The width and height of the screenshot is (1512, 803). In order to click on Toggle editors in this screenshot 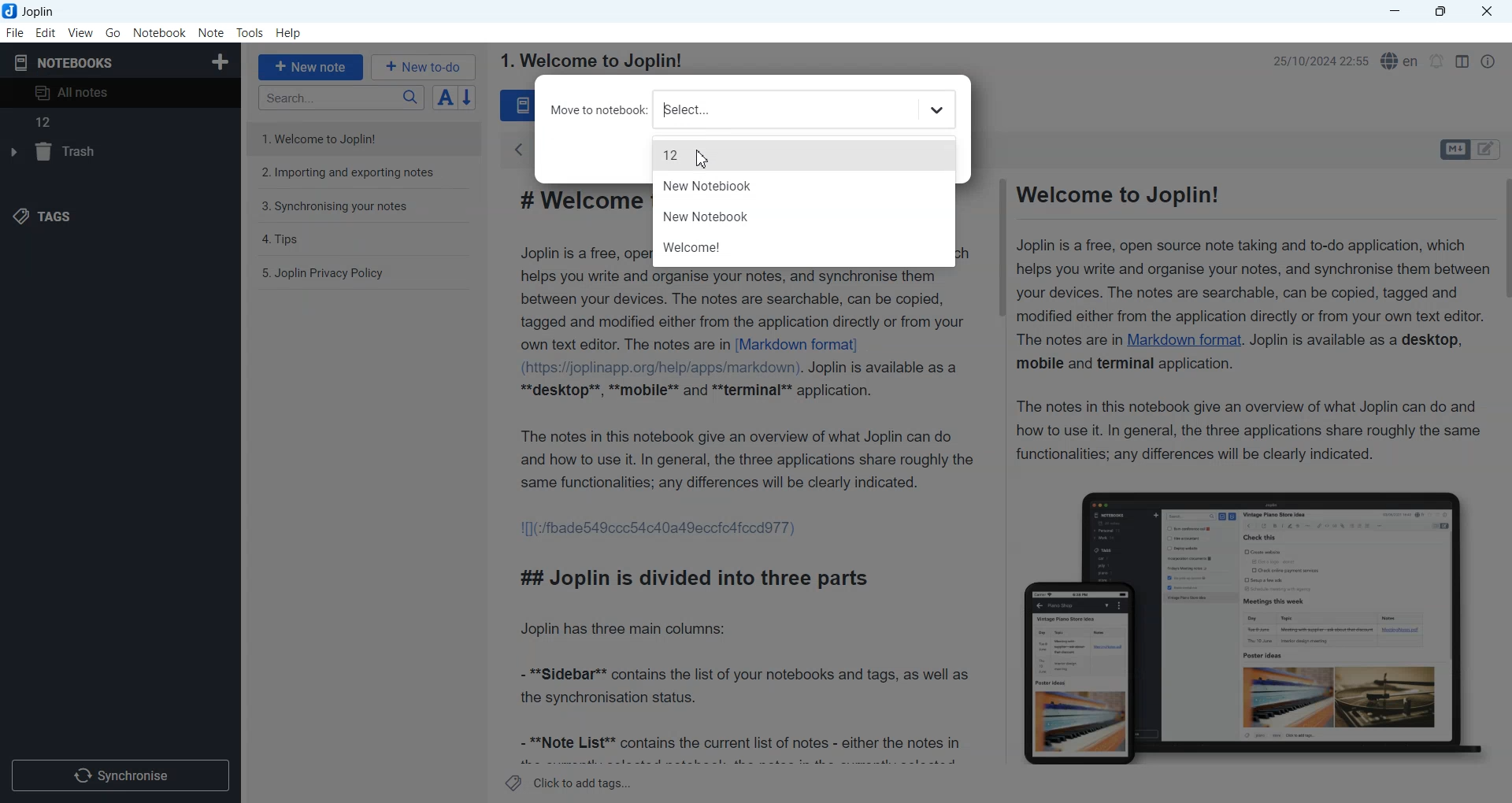, I will do `click(1489, 150)`.